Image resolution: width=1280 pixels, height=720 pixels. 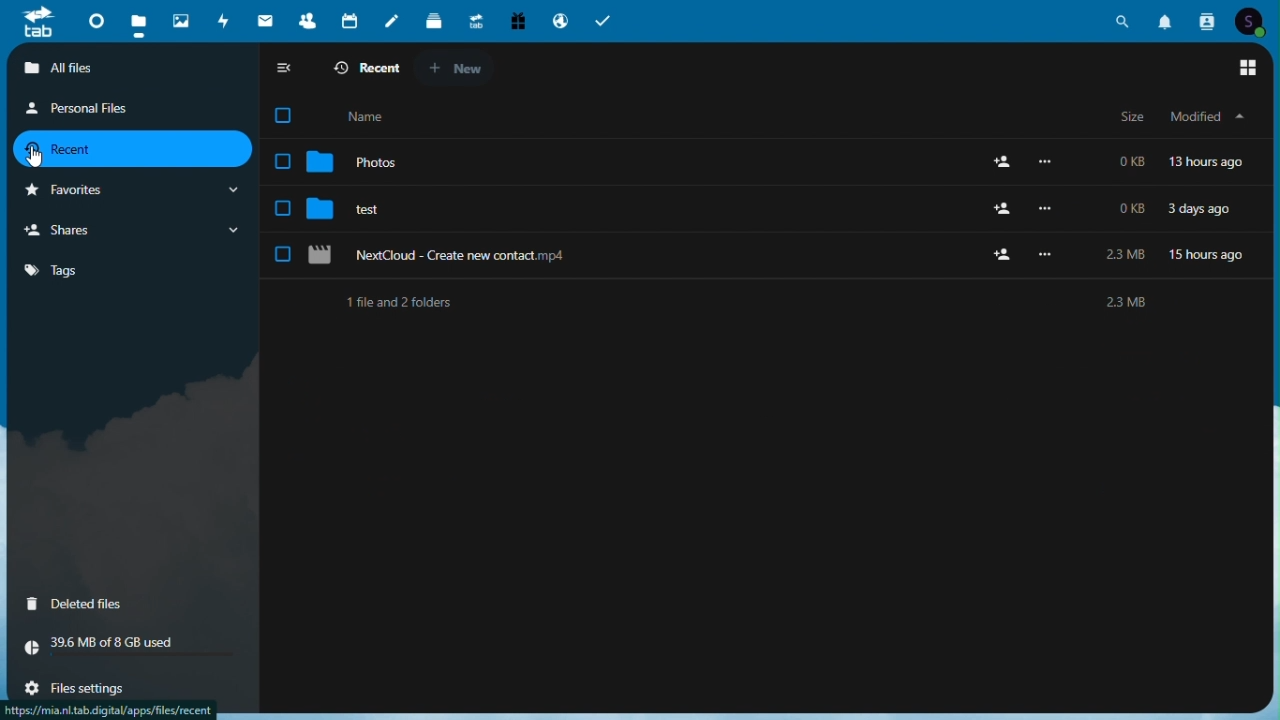 I want to click on free trial, so click(x=517, y=19).